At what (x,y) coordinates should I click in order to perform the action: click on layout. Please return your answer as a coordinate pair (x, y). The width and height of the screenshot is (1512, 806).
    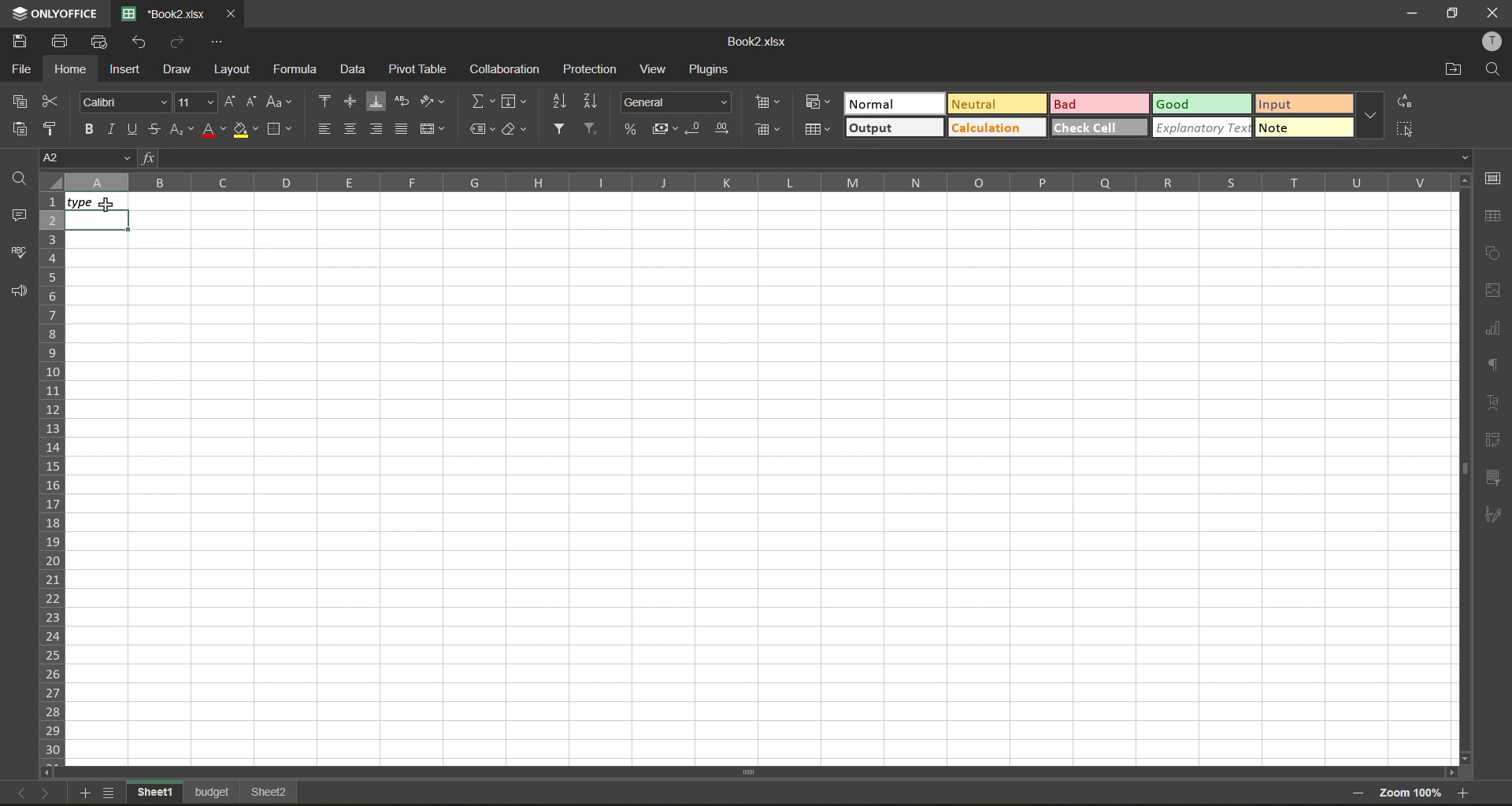
    Looking at the image, I should click on (235, 70).